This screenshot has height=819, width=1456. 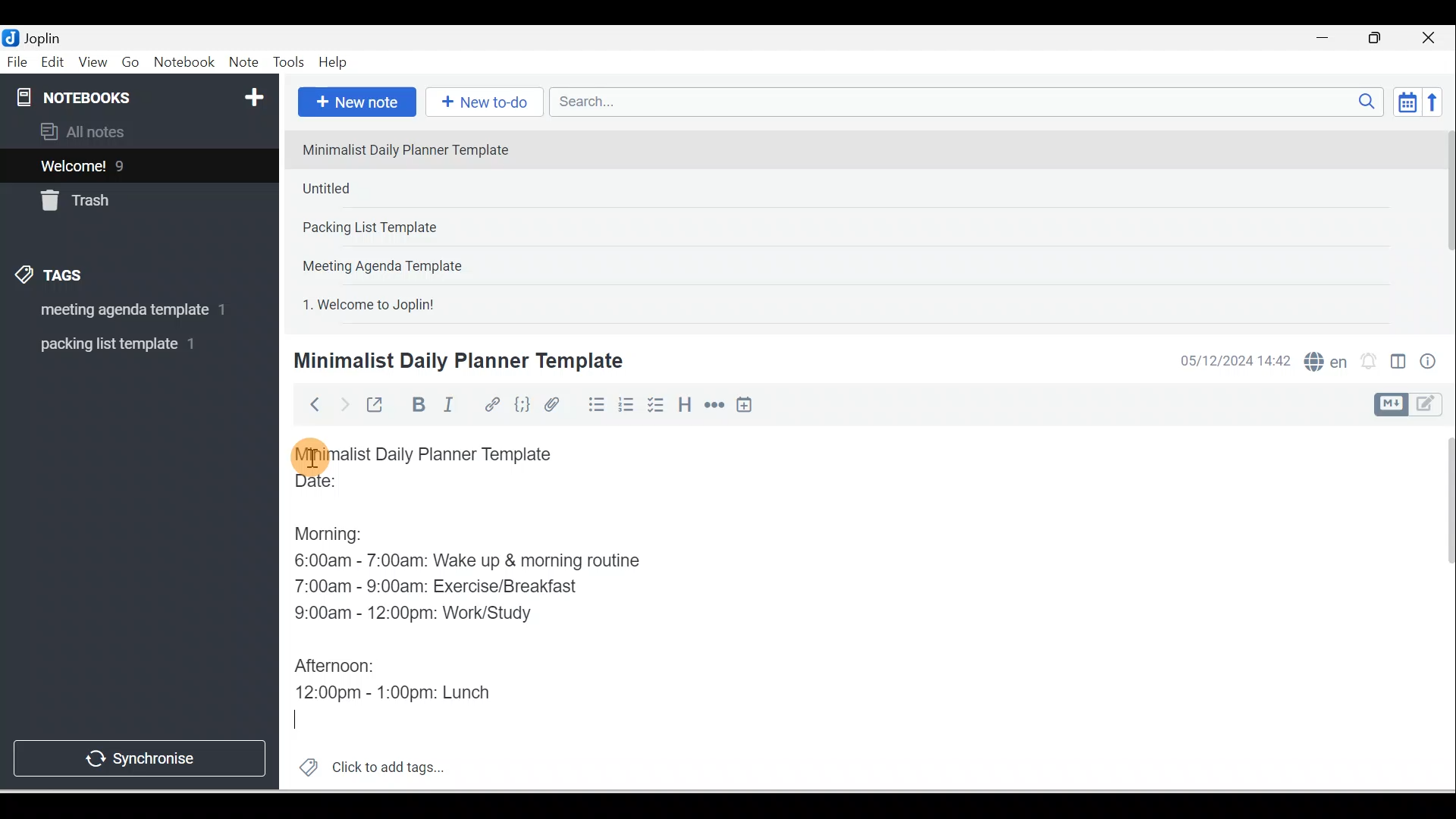 I want to click on Forward, so click(x=343, y=403).